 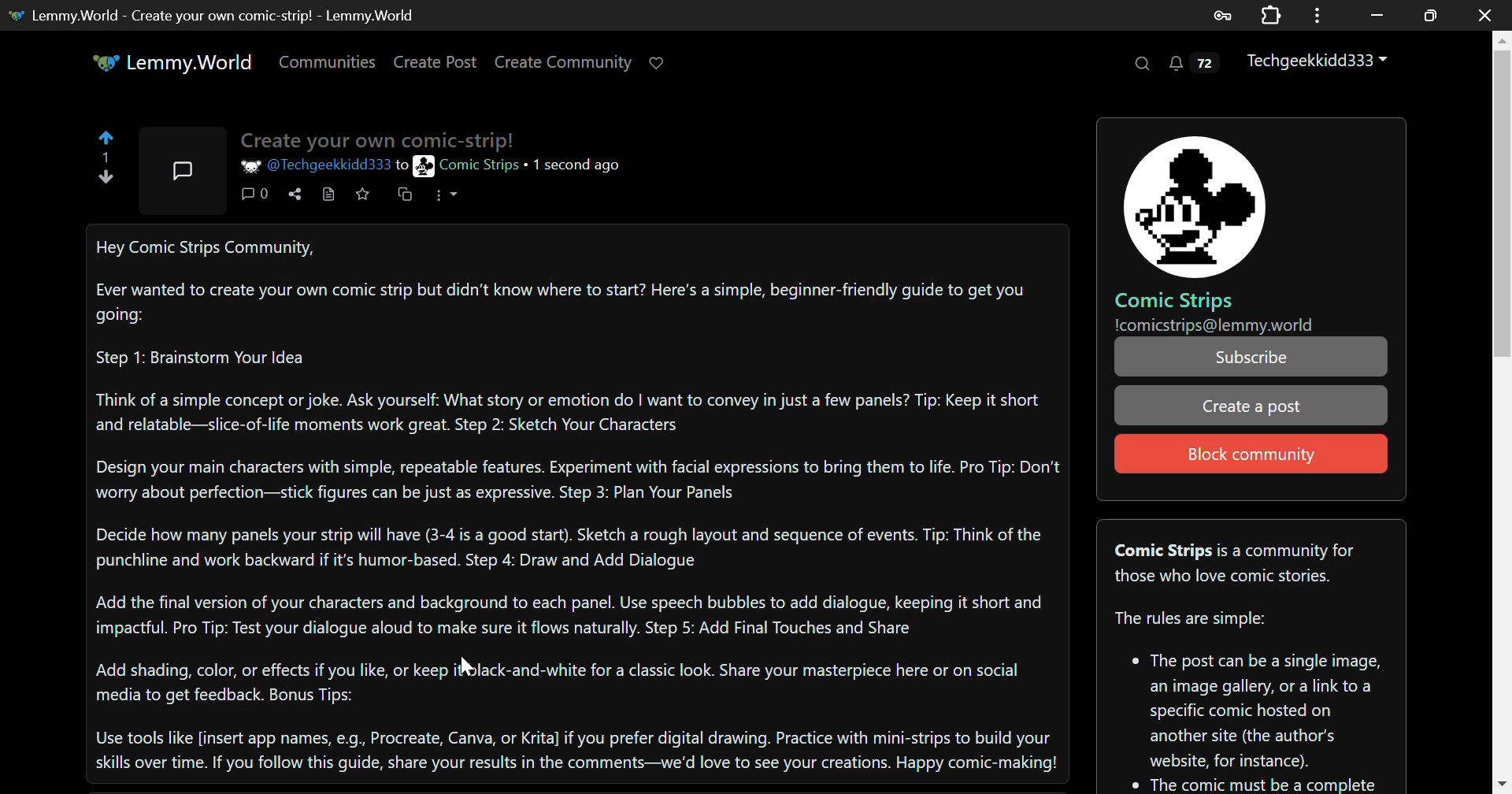 What do you see at coordinates (1251, 358) in the screenshot?
I see `Subscribe` at bounding box center [1251, 358].